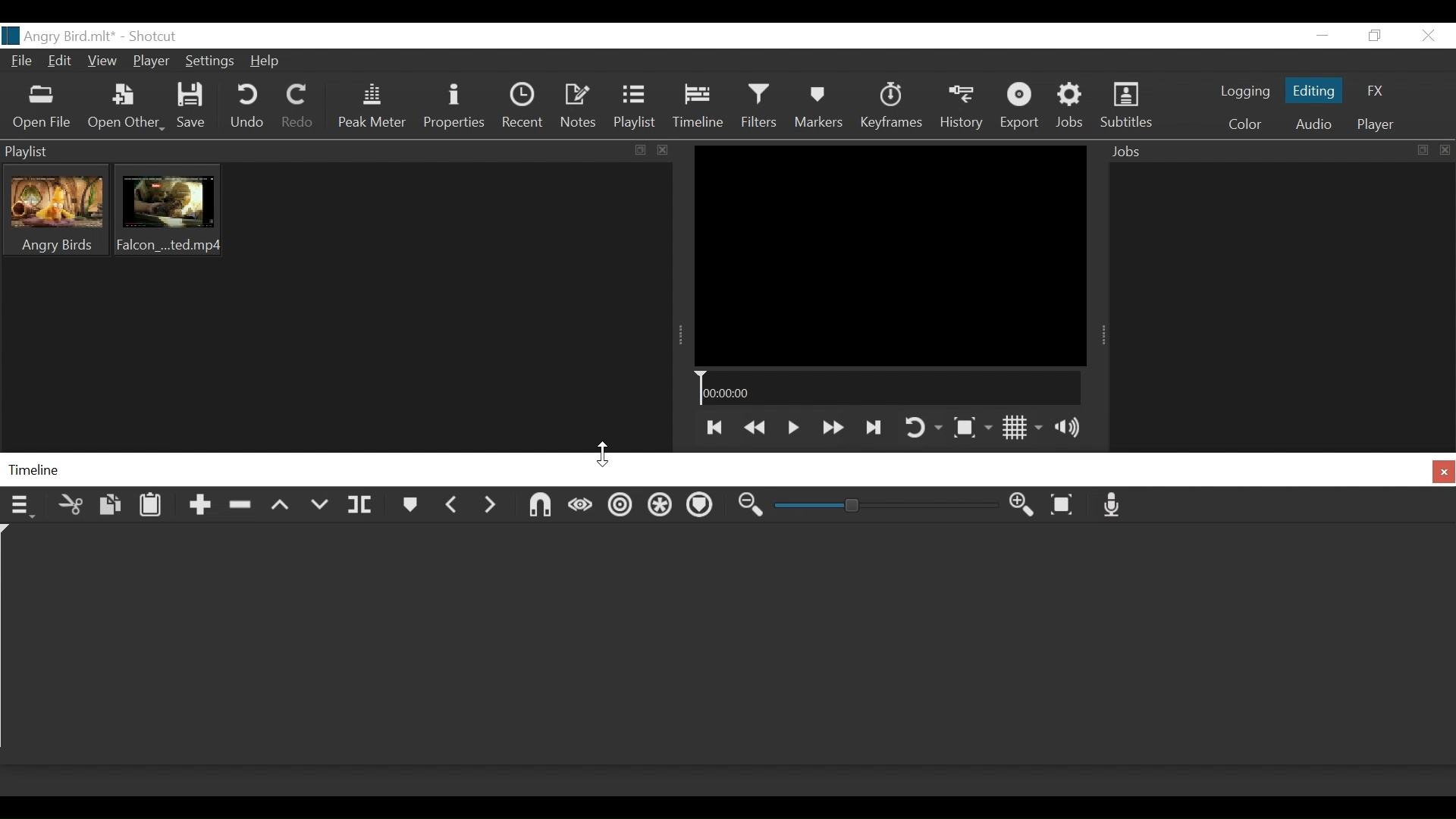 The width and height of the screenshot is (1456, 819). What do you see at coordinates (923, 427) in the screenshot?
I see `Toggle player on looping` at bounding box center [923, 427].